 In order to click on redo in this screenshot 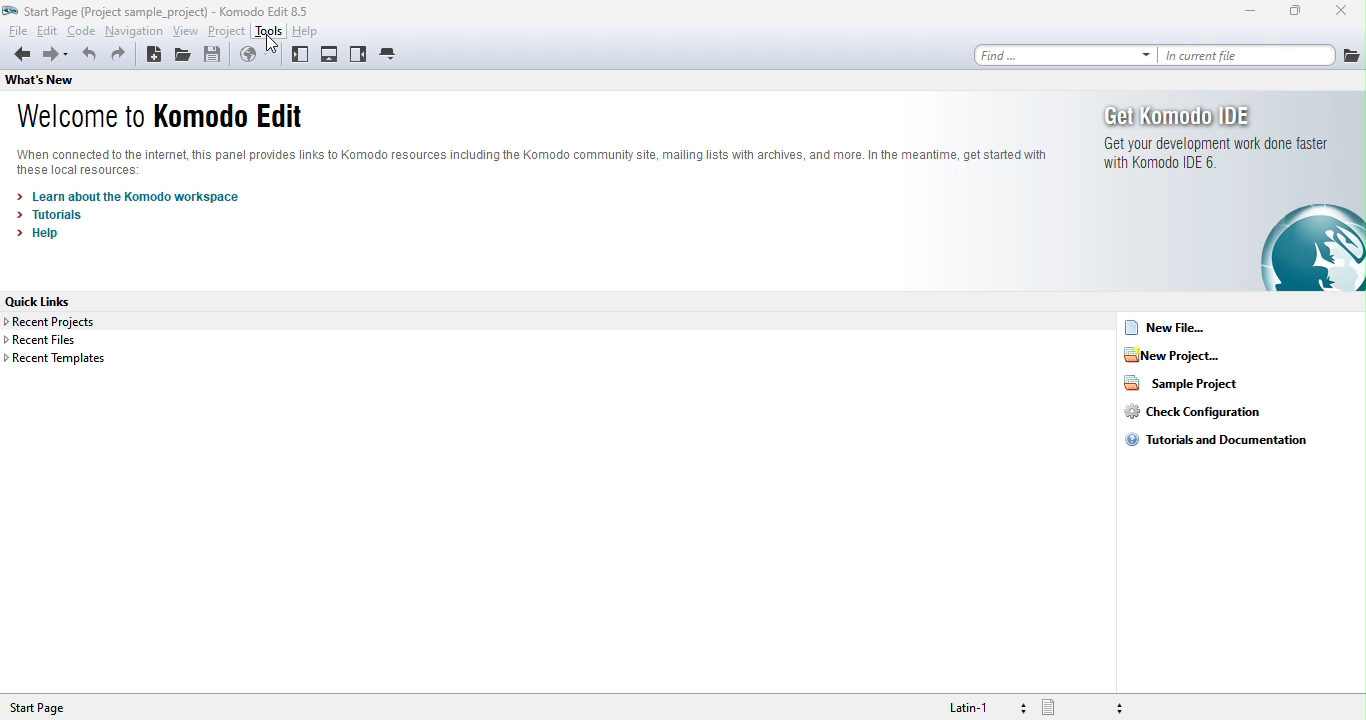, I will do `click(122, 56)`.